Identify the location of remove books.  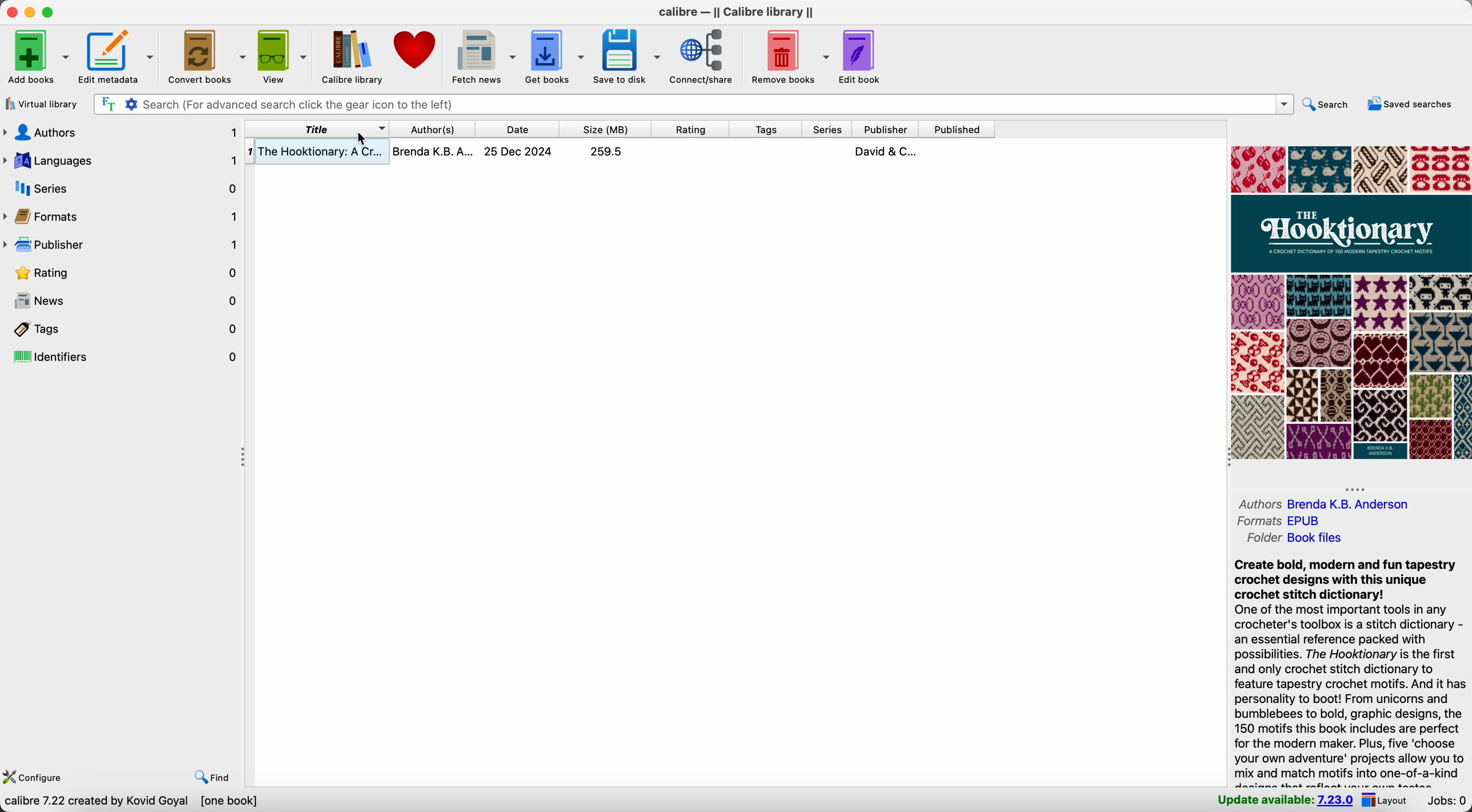
(789, 55).